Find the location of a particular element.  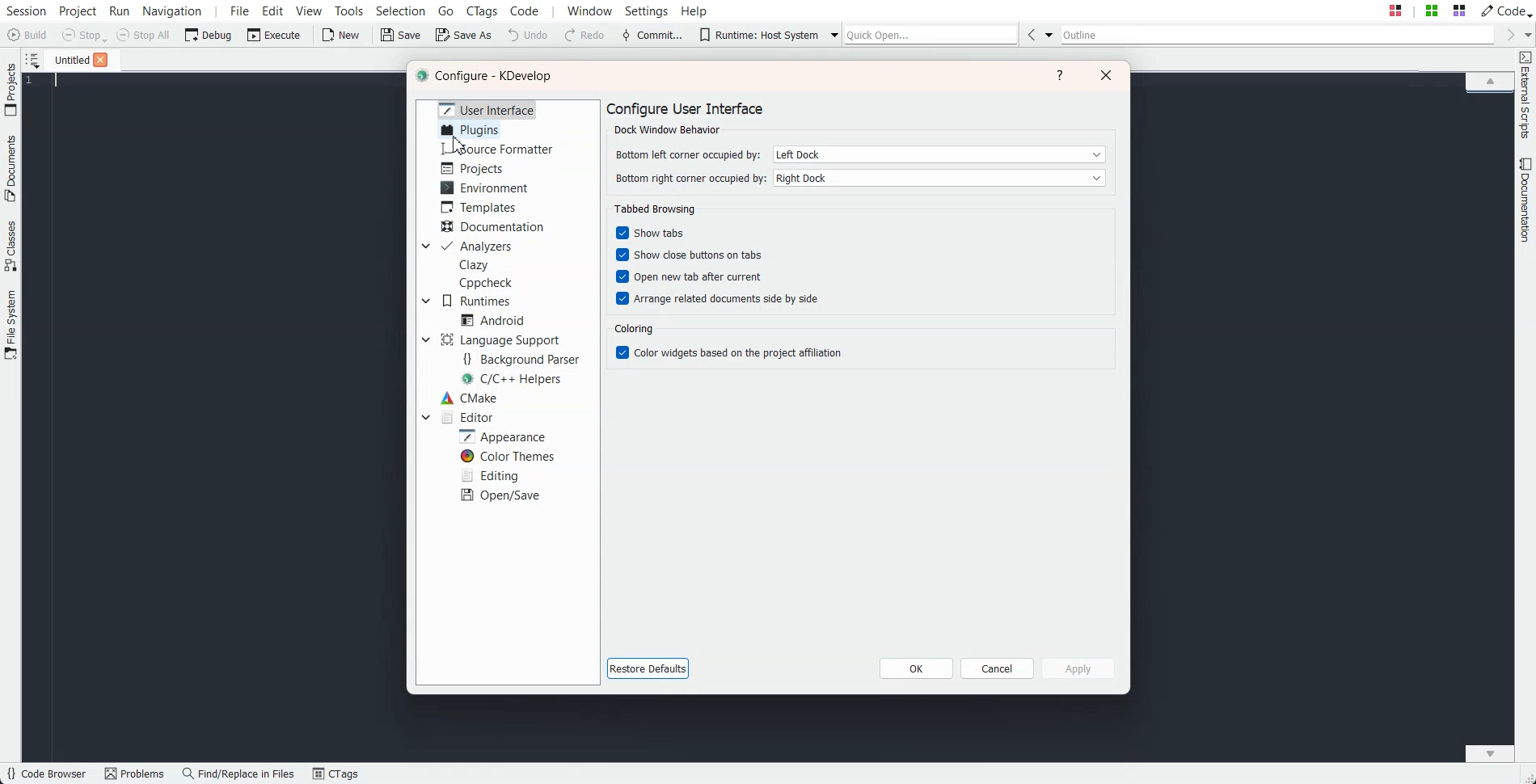

Drop down box is located at coordinates (426, 301).